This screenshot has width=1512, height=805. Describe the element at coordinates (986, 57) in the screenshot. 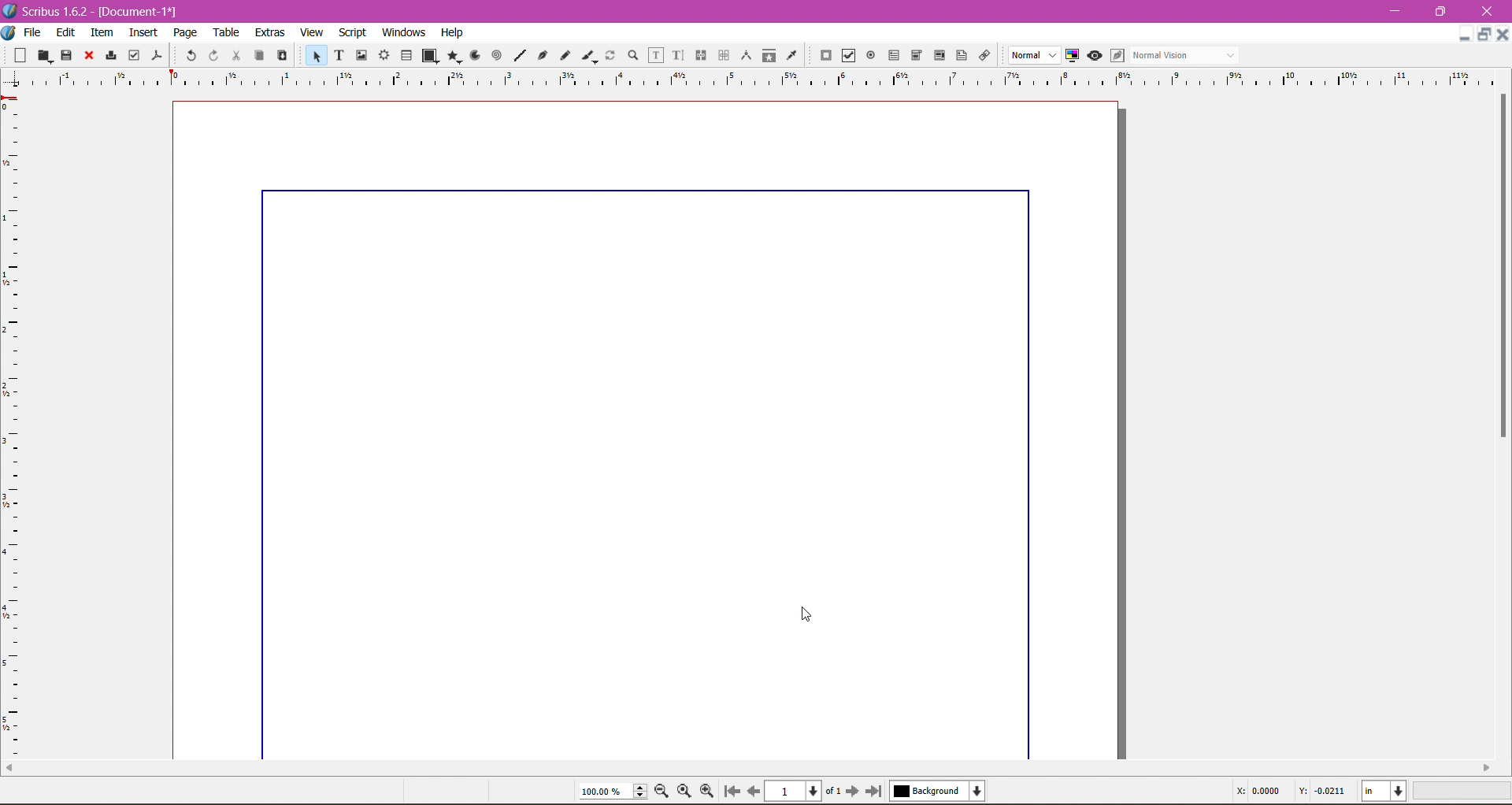

I see `Link Annotation` at that location.